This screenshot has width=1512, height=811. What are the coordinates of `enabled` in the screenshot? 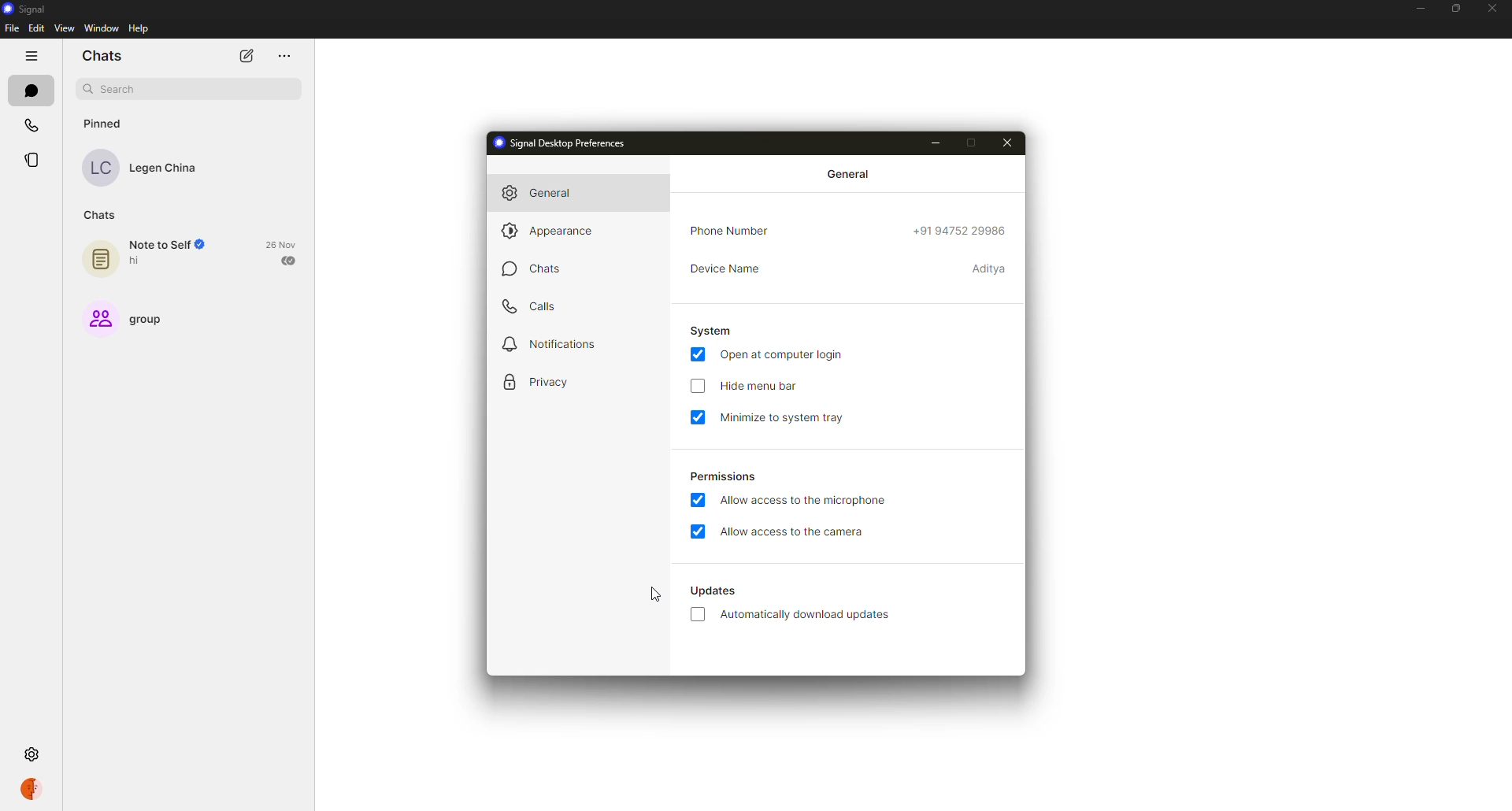 It's located at (698, 417).